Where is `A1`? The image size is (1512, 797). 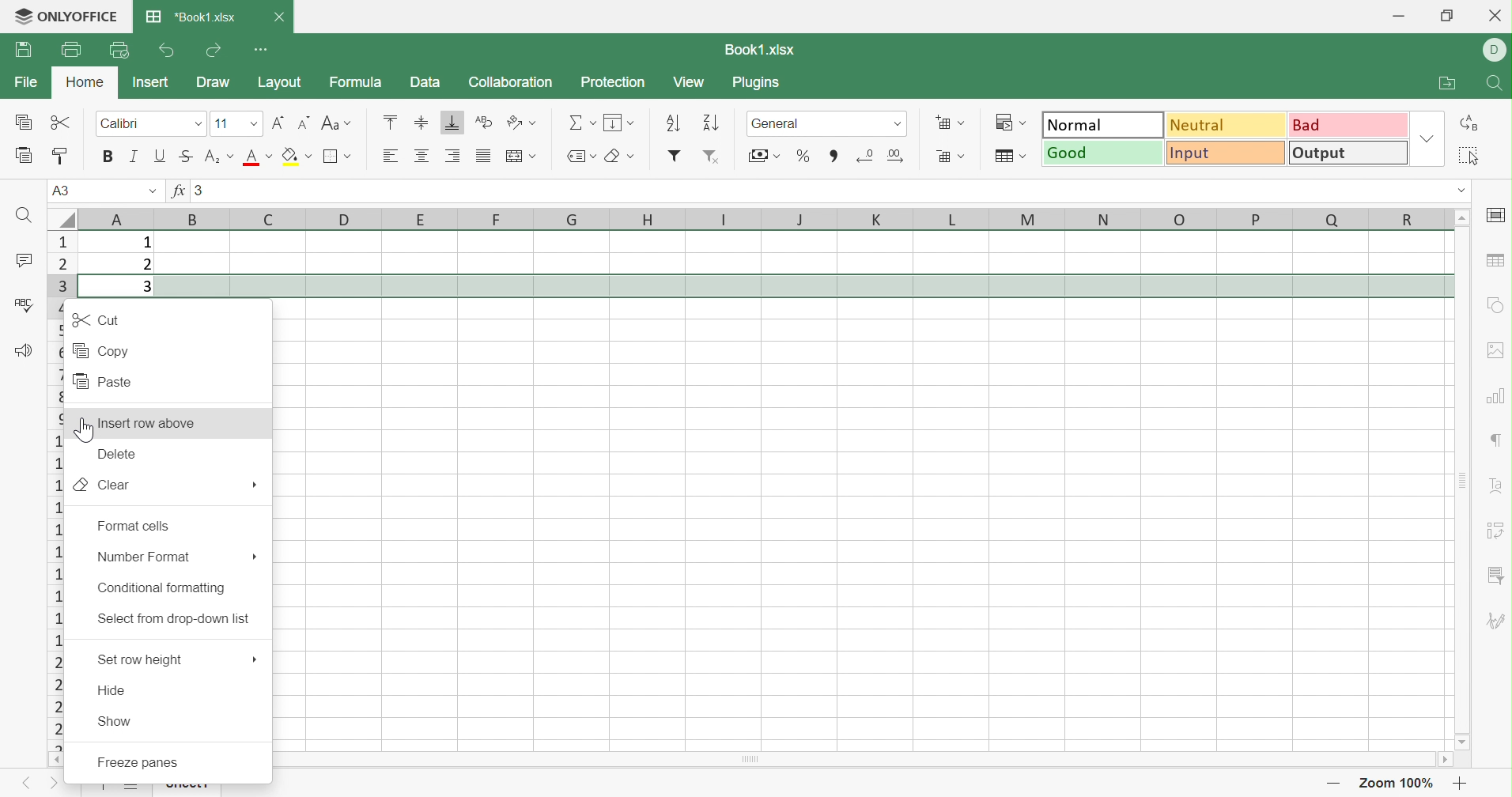
A1 is located at coordinates (63, 190).